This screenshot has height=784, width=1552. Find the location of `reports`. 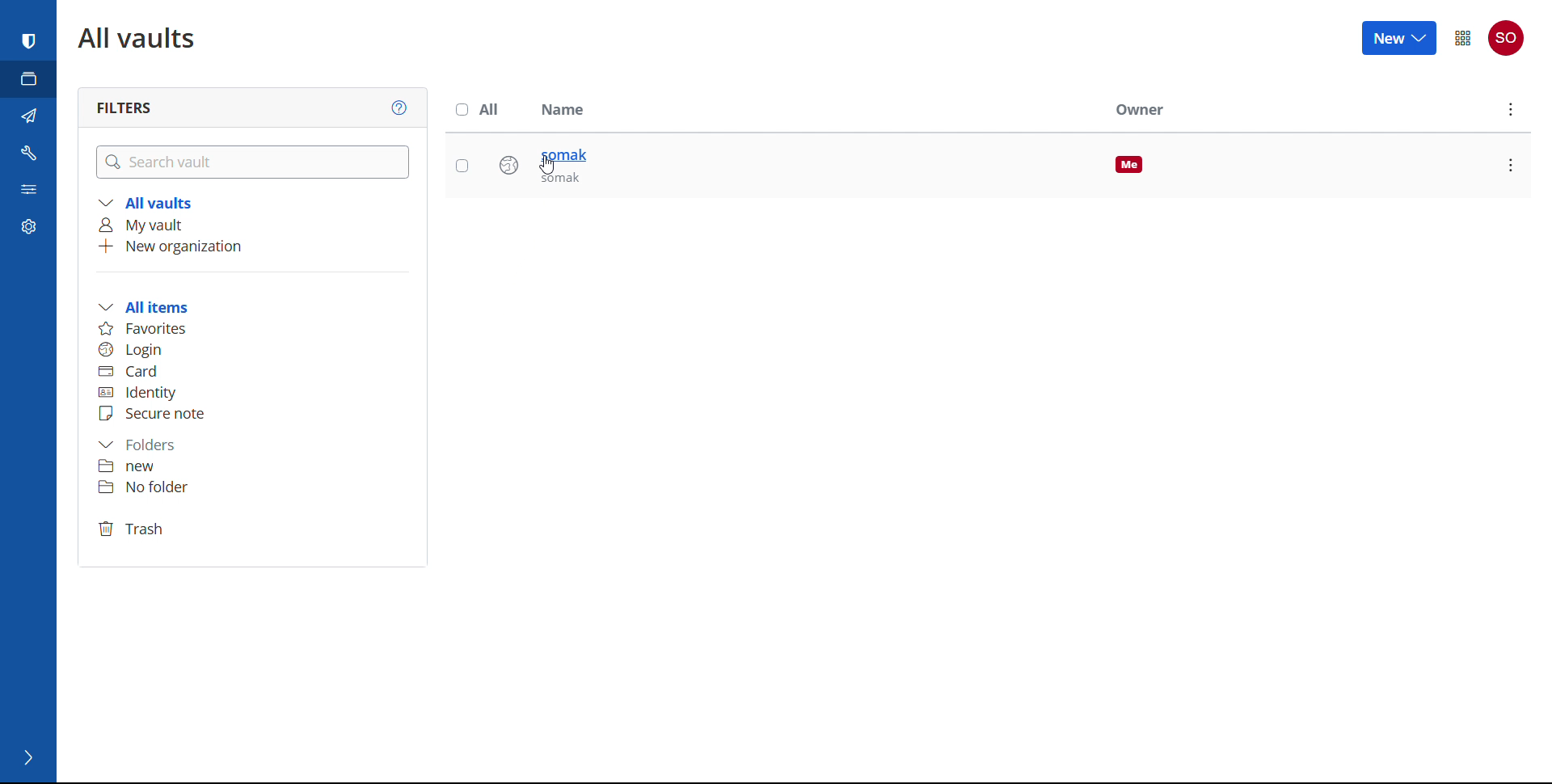

reports is located at coordinates (28, 187).